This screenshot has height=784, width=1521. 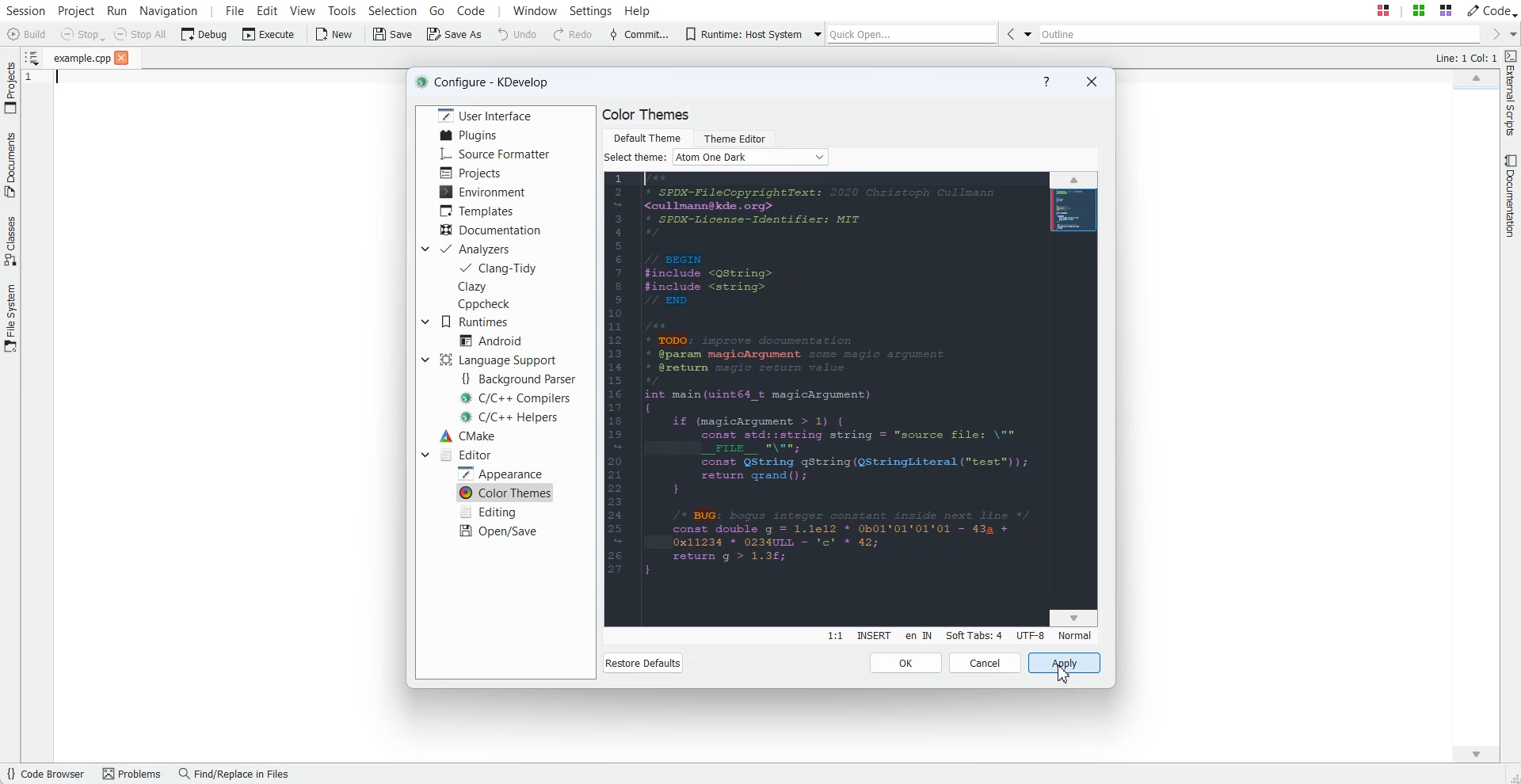 I want to click on Plugins, so click(x=468, y=135).